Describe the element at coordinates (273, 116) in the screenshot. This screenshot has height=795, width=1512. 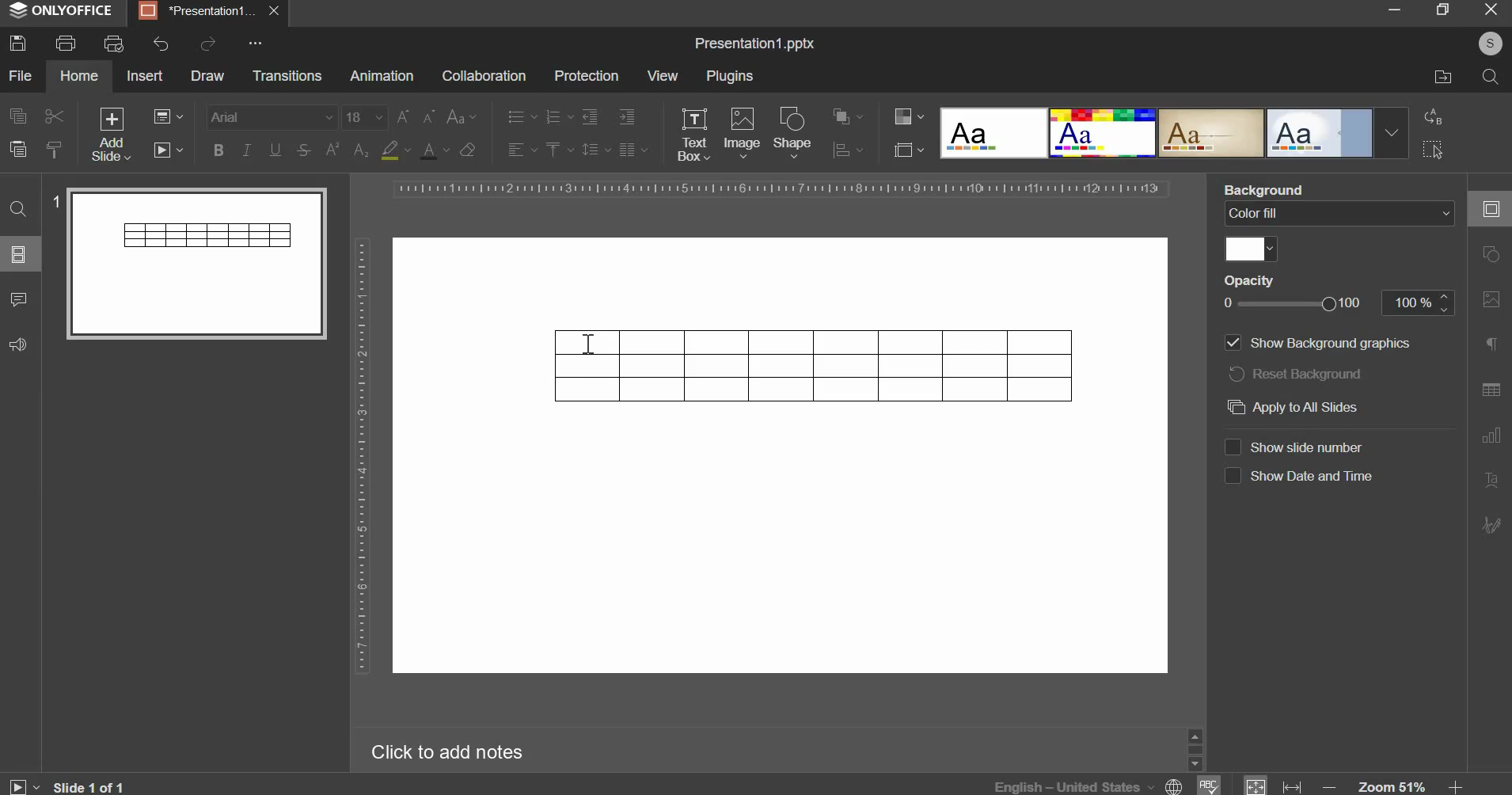
I see `font` at that location.